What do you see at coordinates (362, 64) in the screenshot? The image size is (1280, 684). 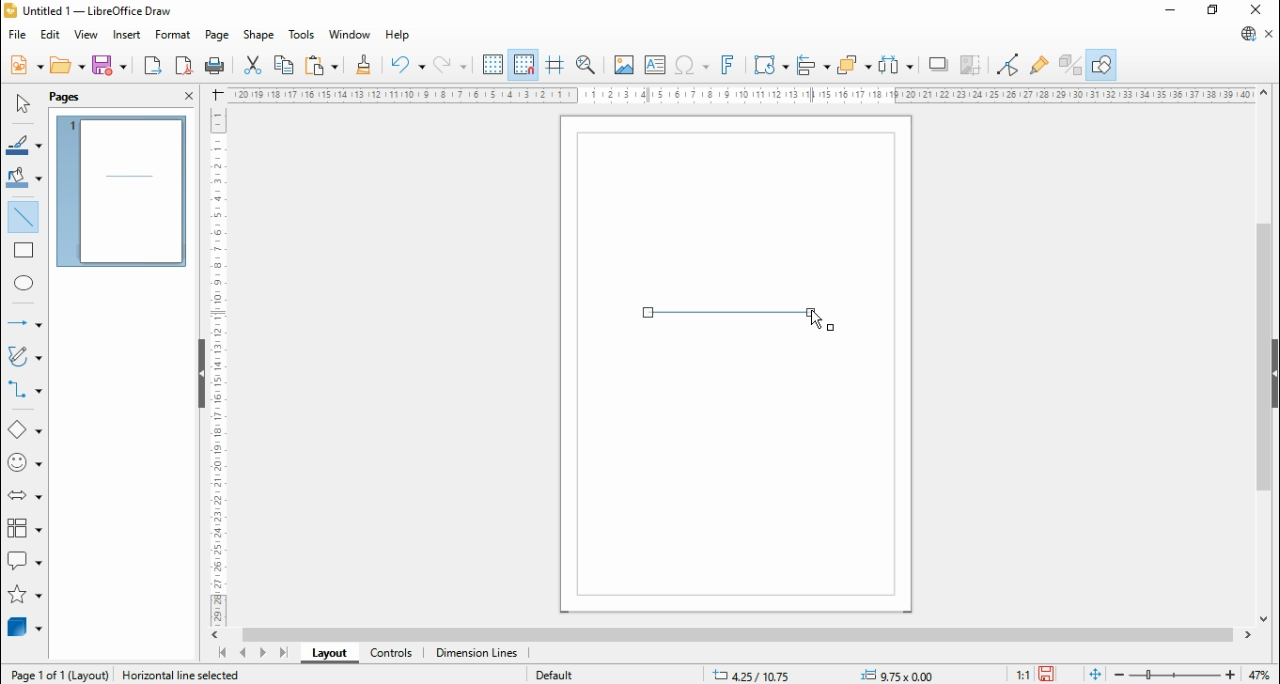 I see `clone formatting` at bounding box center [362, 64].